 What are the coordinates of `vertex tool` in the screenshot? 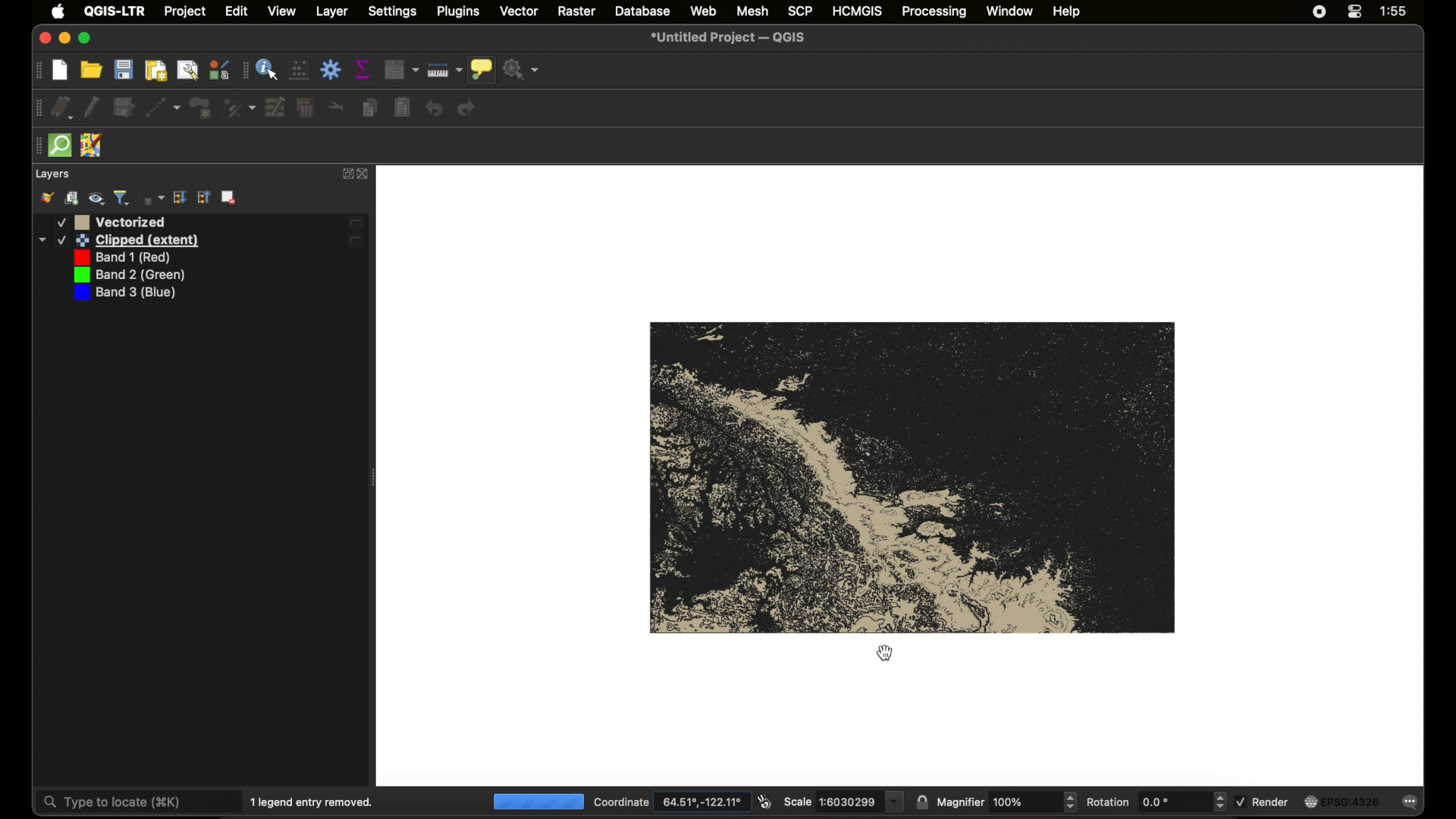 It's located at (238, 108).